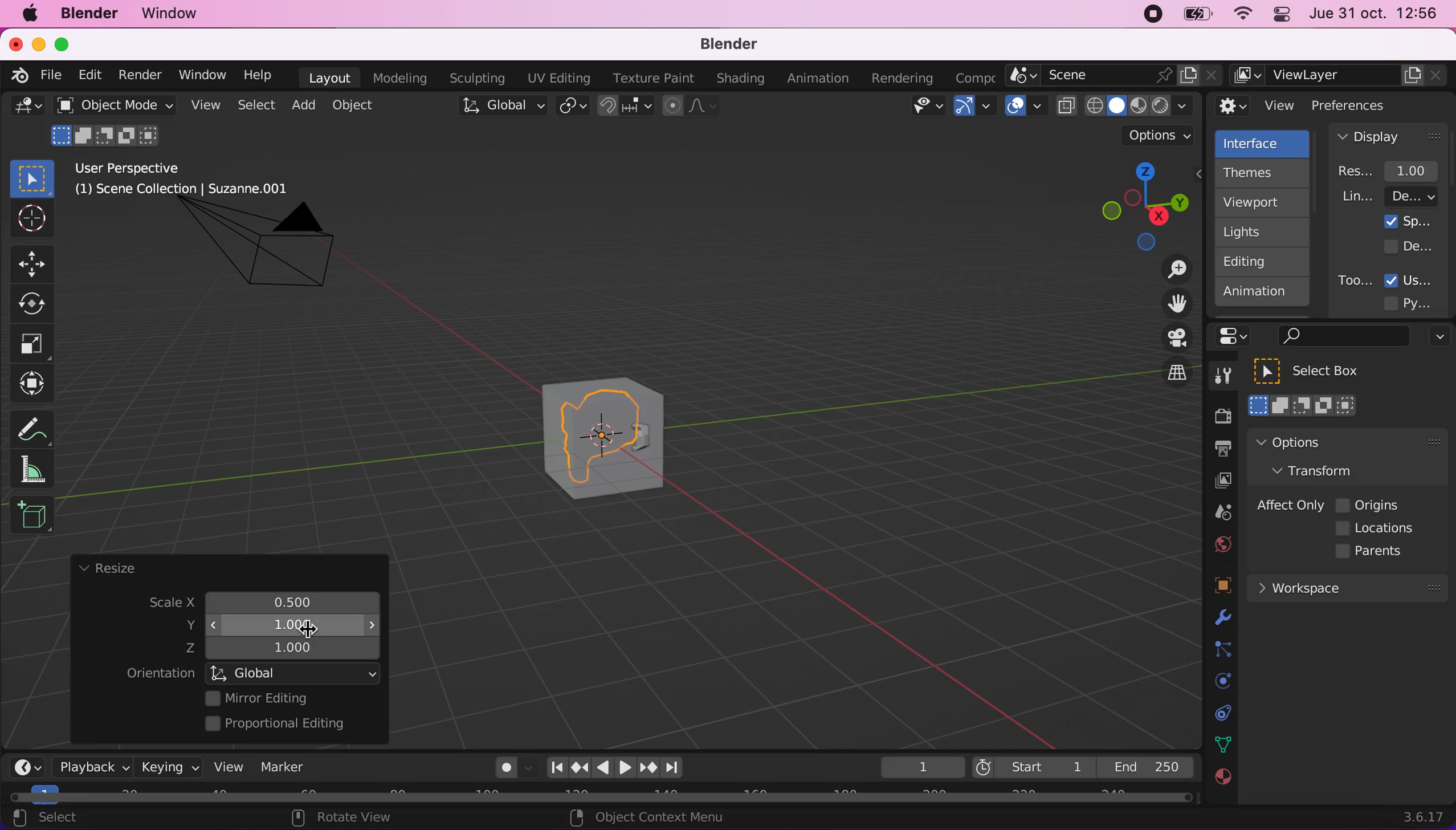 This screenshot has width=1456, height=830. What do you see at coordinates (1220, 743) in the screenshot?
I see `data` at bounding box center [1220, 743].